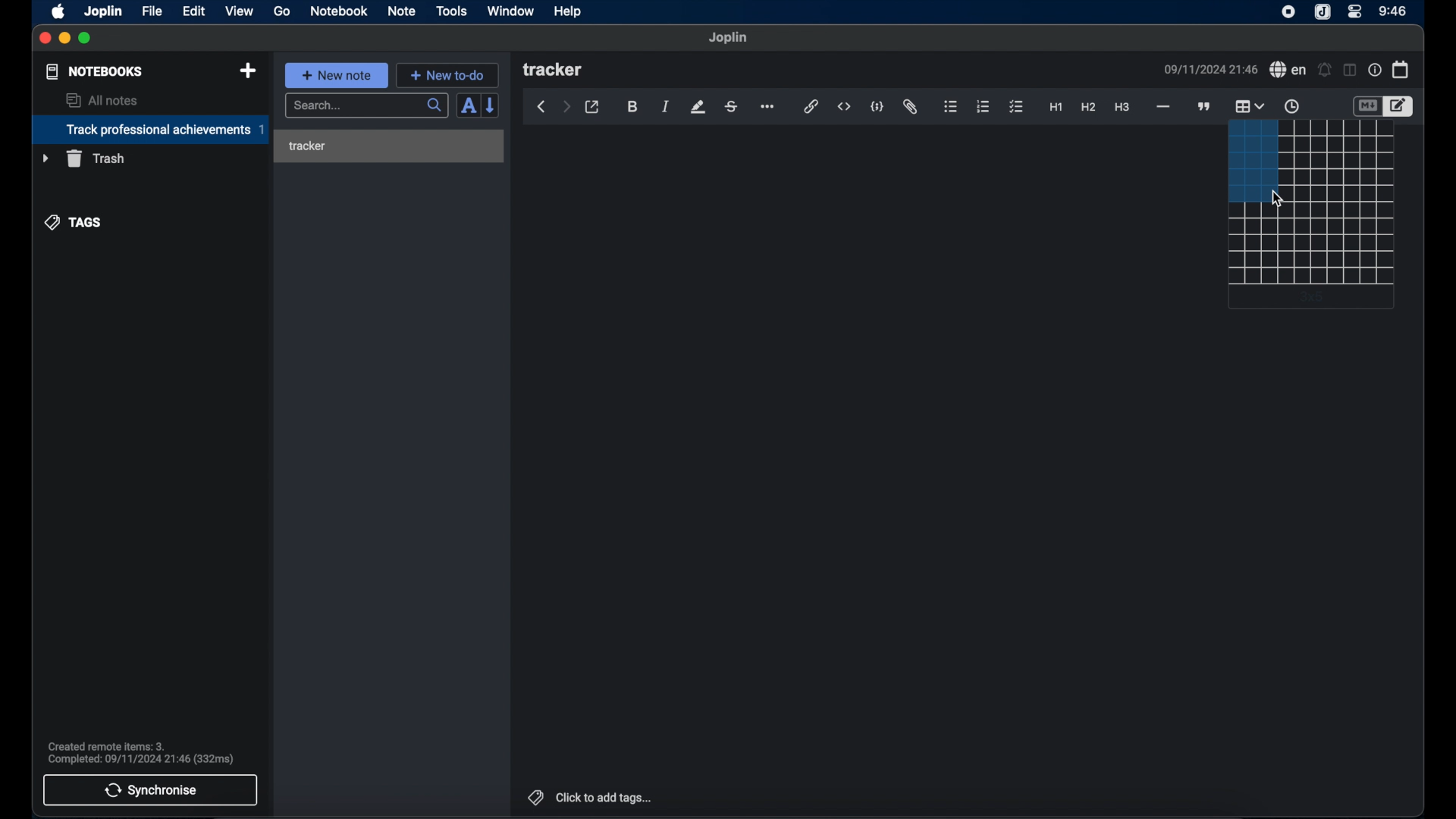  What do you see at coordinates (307, 146) in the screenshot?
I see `tracker` at bounding box center [307, 146].